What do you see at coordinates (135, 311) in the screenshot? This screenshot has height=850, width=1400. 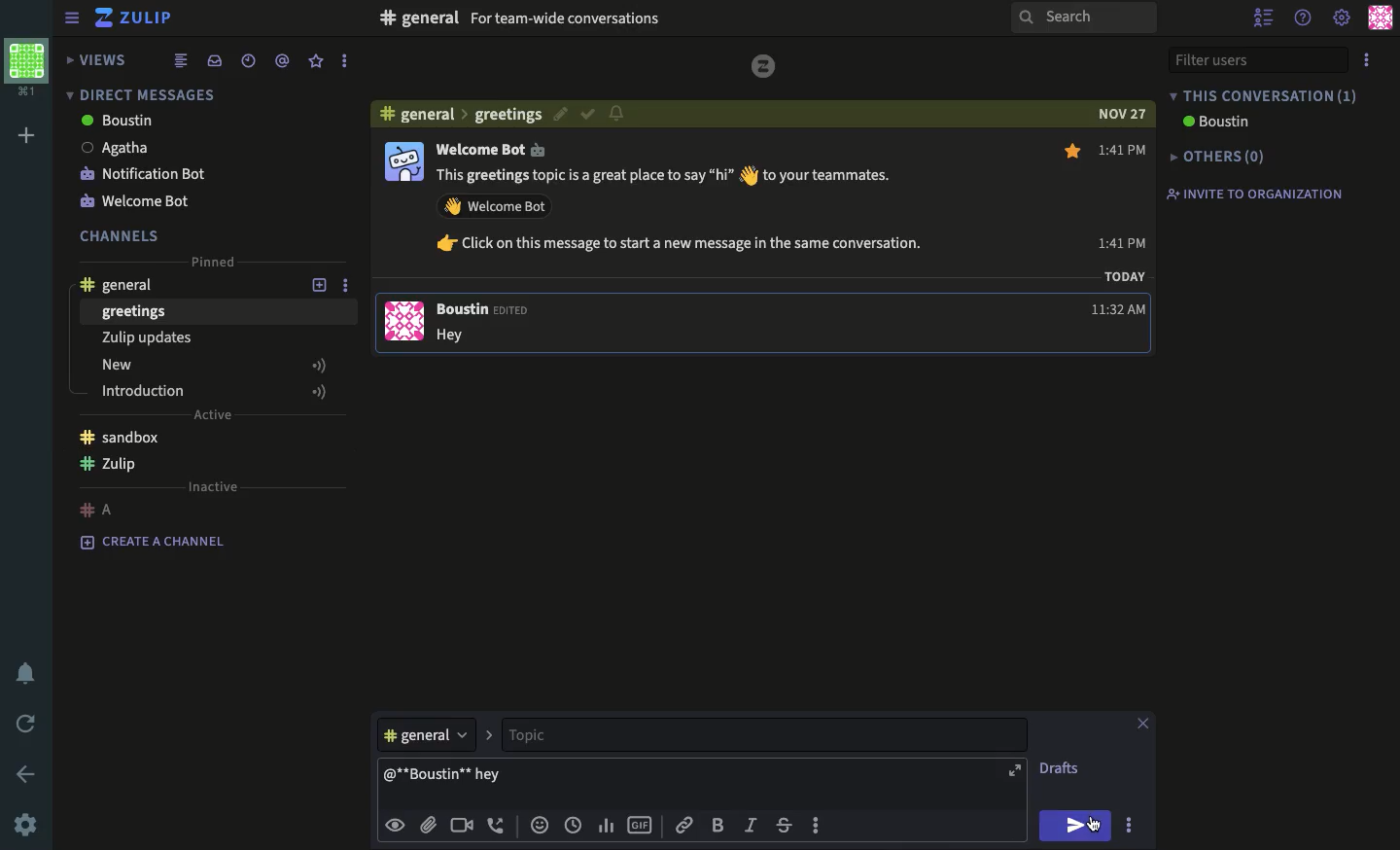 I see `greetings` at bounding box center [135, 311].